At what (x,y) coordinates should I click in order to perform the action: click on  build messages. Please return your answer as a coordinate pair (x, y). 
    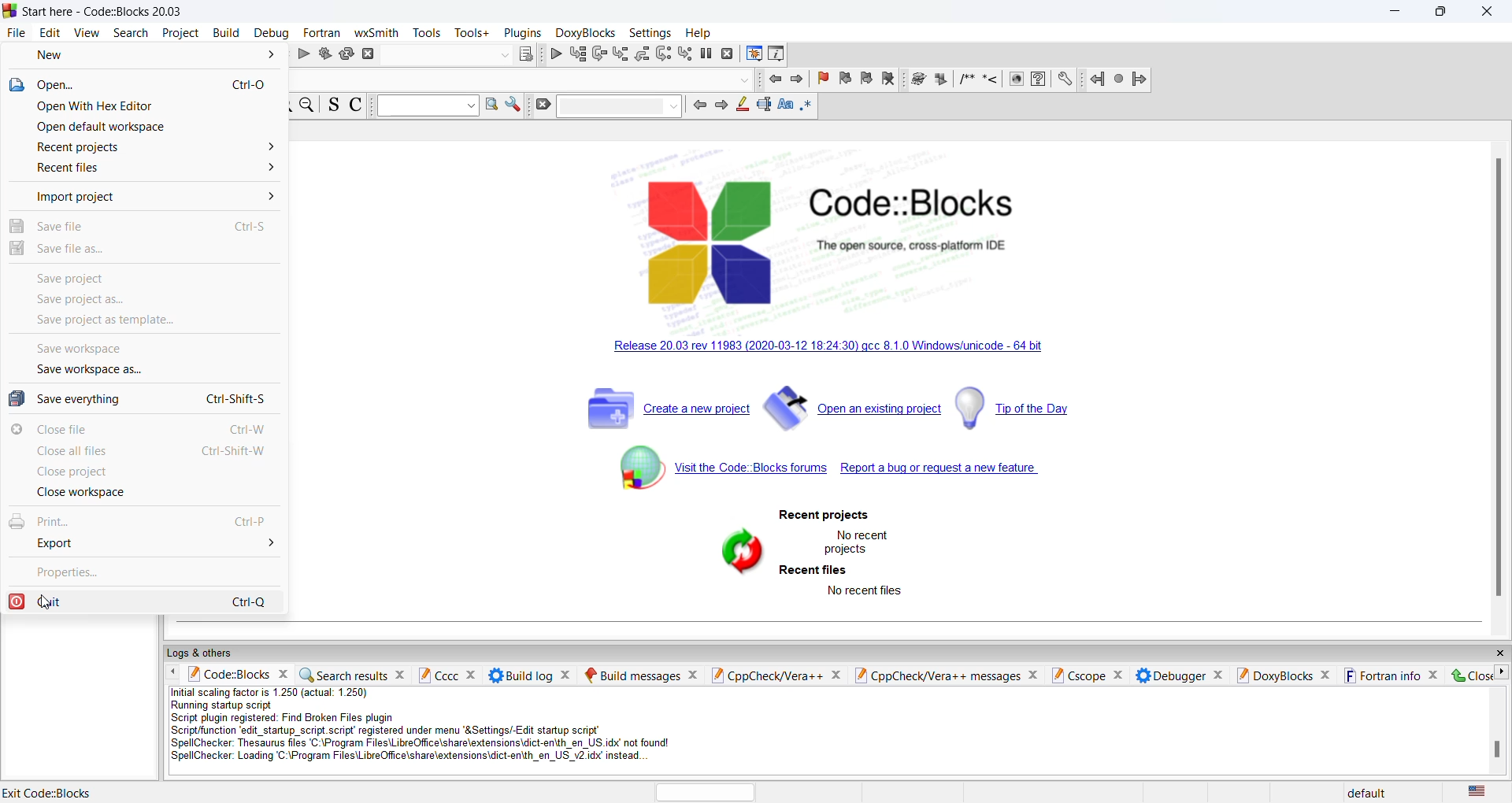
    Looking at the image, I should click on (640, 673).